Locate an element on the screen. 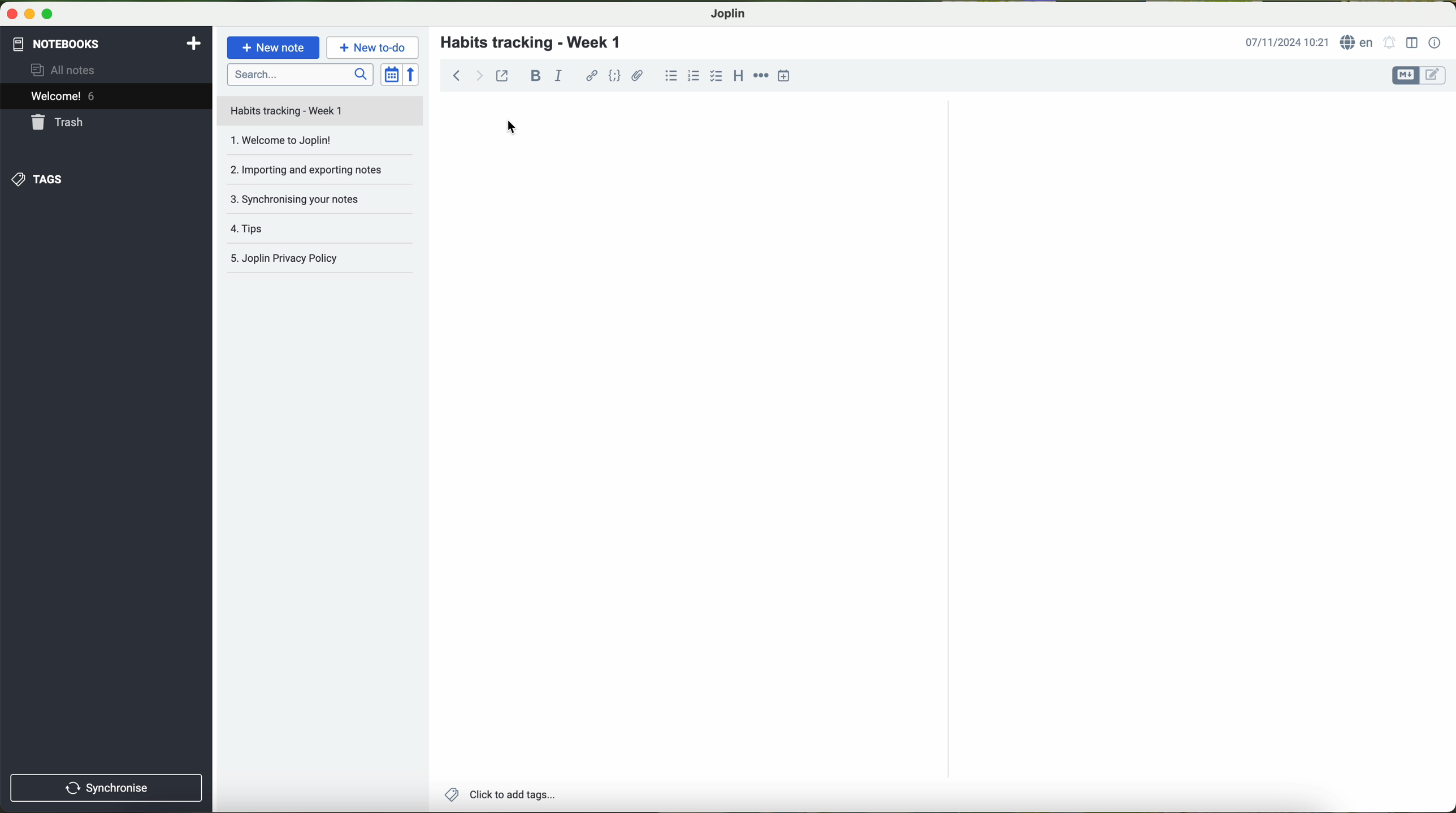 Image resolution: width=1456 pixels, height=813 pixels. forward is located at coordinates (479, 75).